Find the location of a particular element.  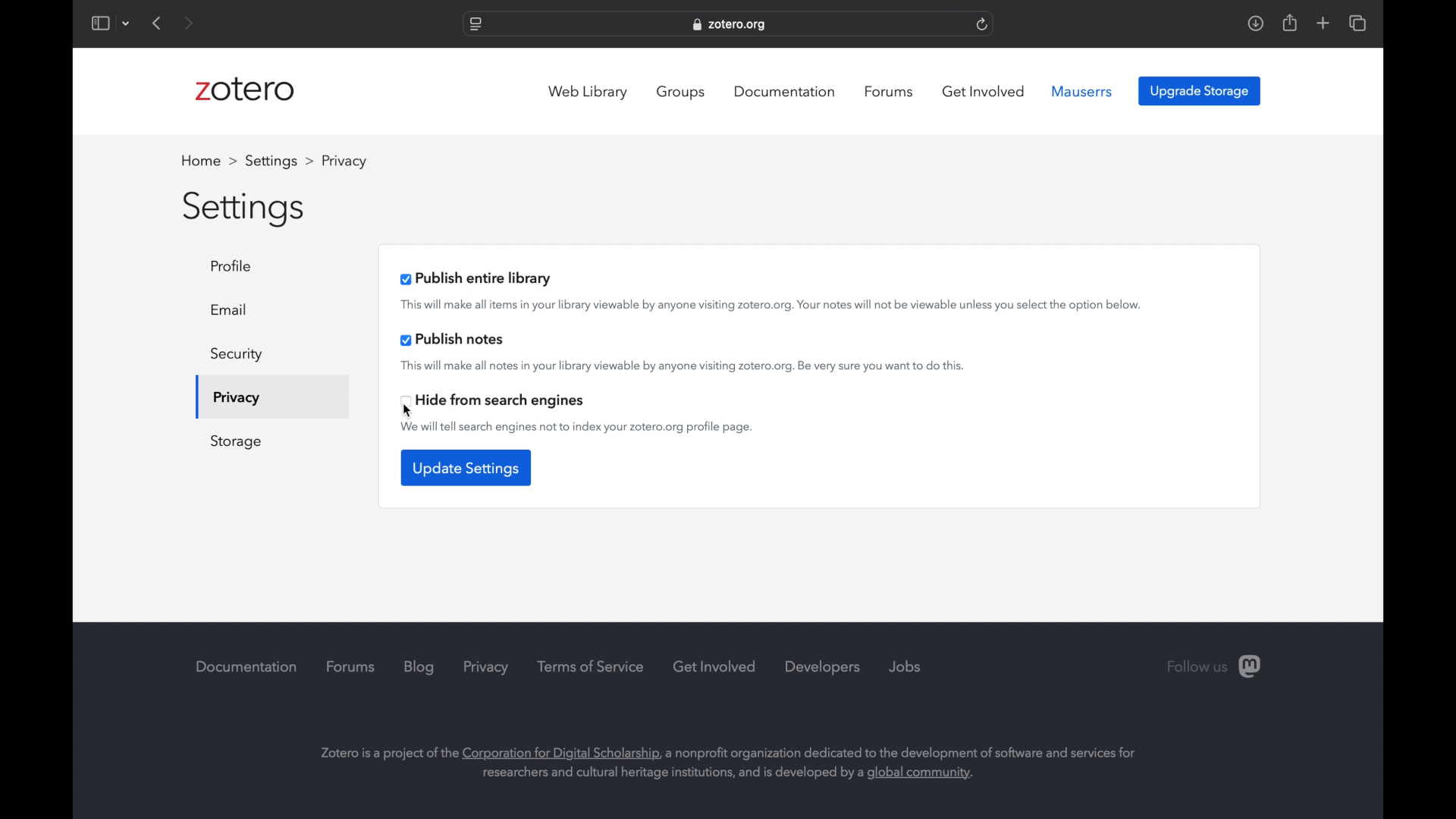

security is located at coordinates (237, 355).